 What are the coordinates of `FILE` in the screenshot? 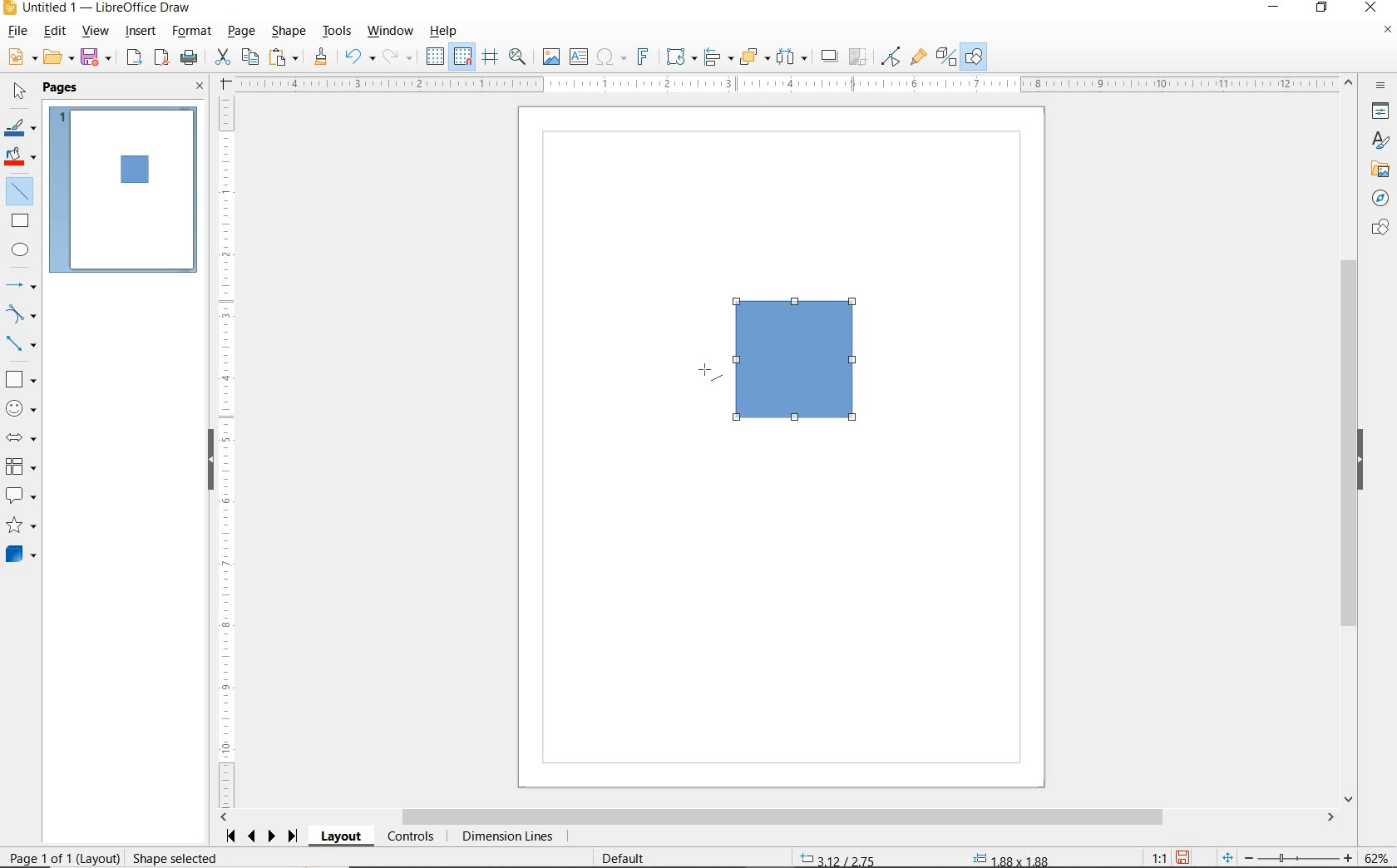 It's located at (16, 32).